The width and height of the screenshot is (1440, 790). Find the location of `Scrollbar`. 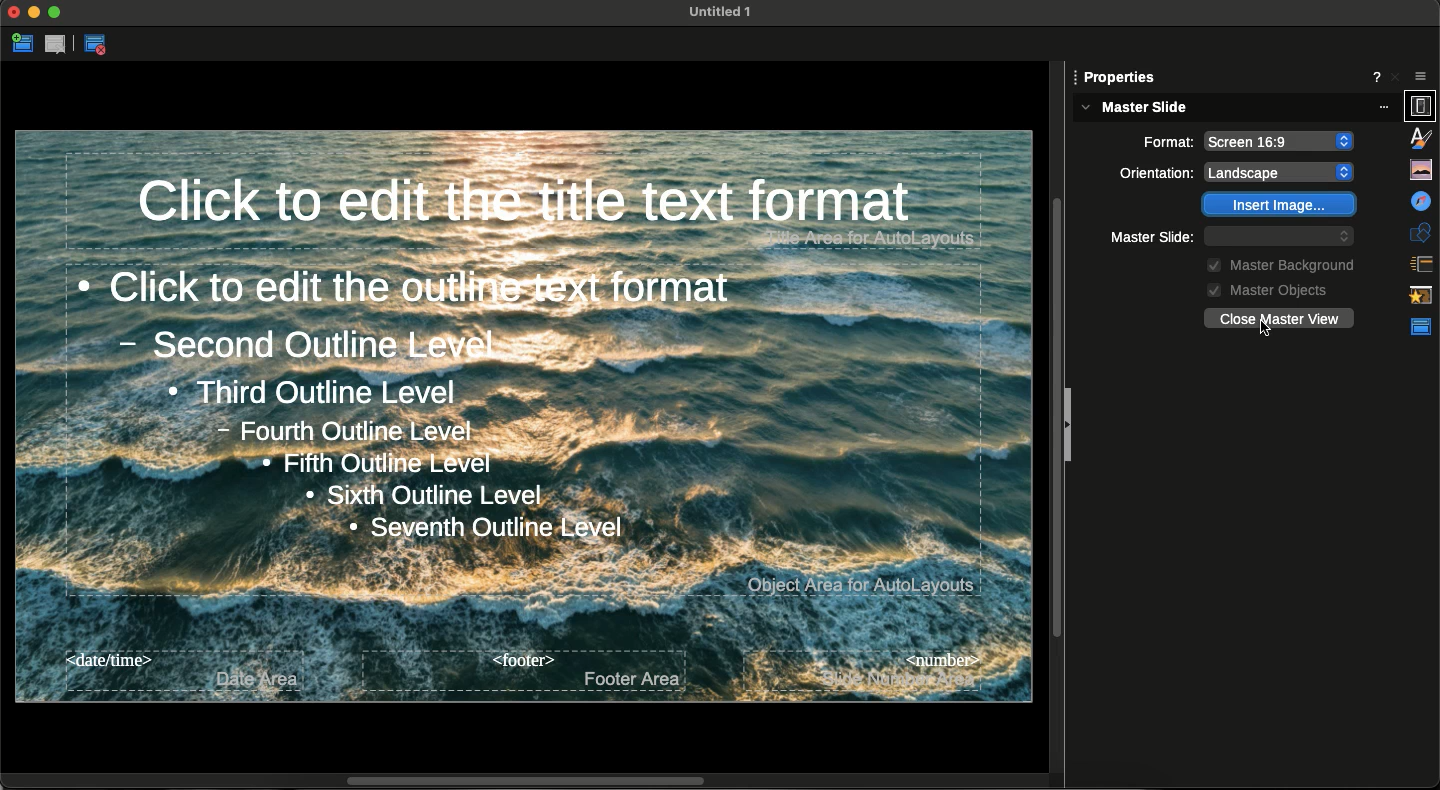

Scrollbar is located at coordinates (1059, 407).